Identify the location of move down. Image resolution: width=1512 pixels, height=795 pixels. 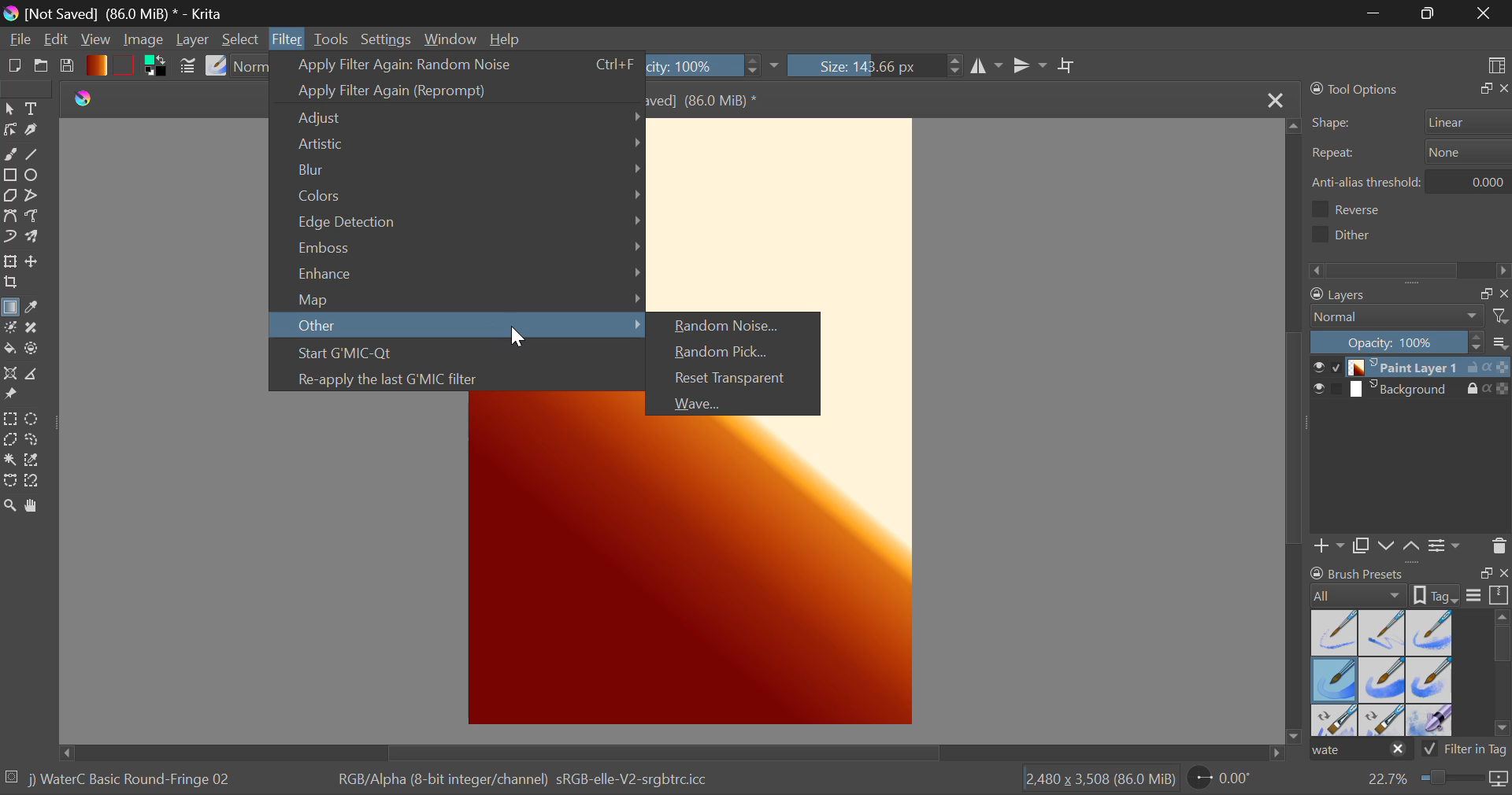
(1292, 731).